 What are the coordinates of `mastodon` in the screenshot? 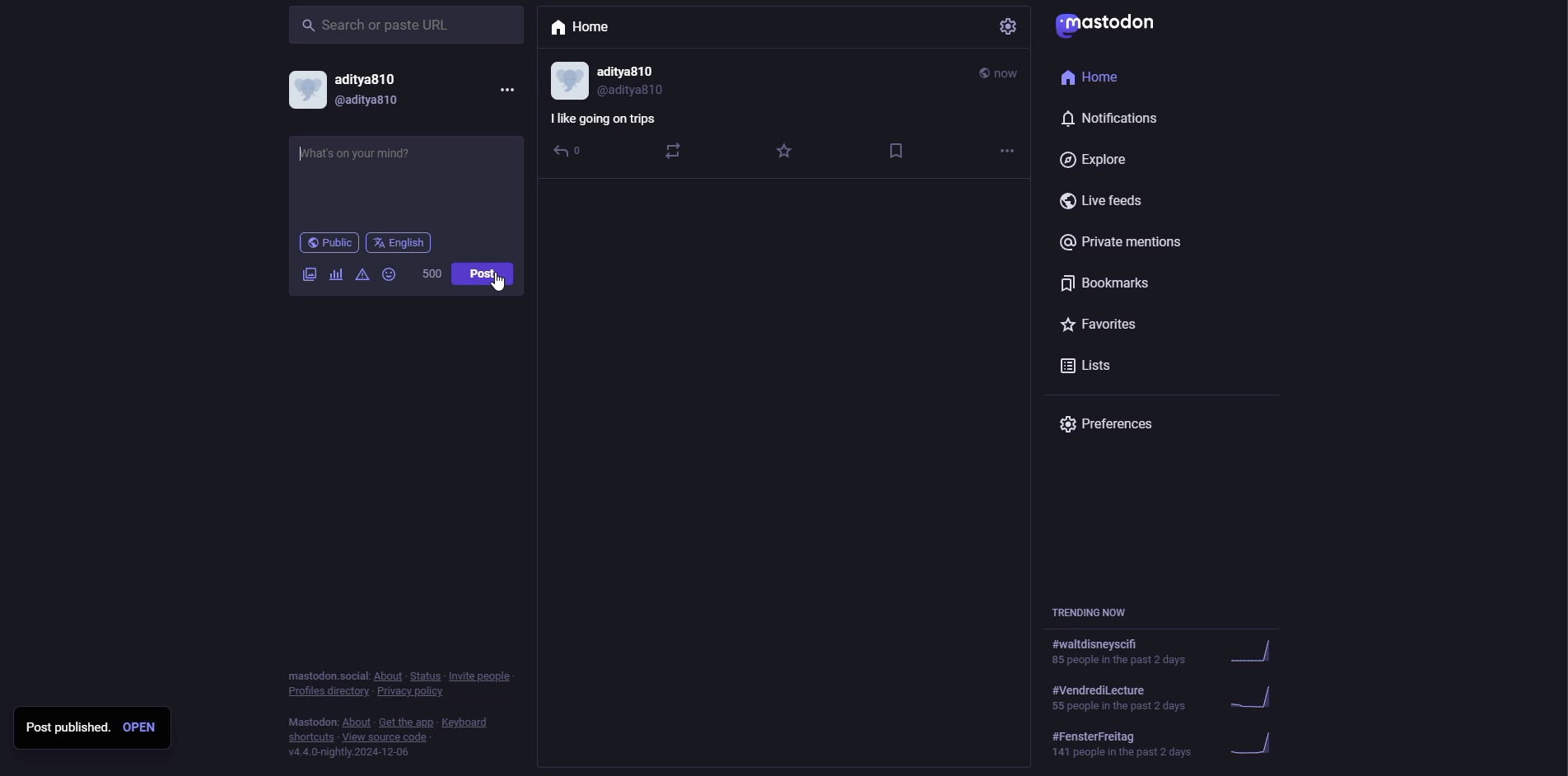 It's located at (1110, 27).